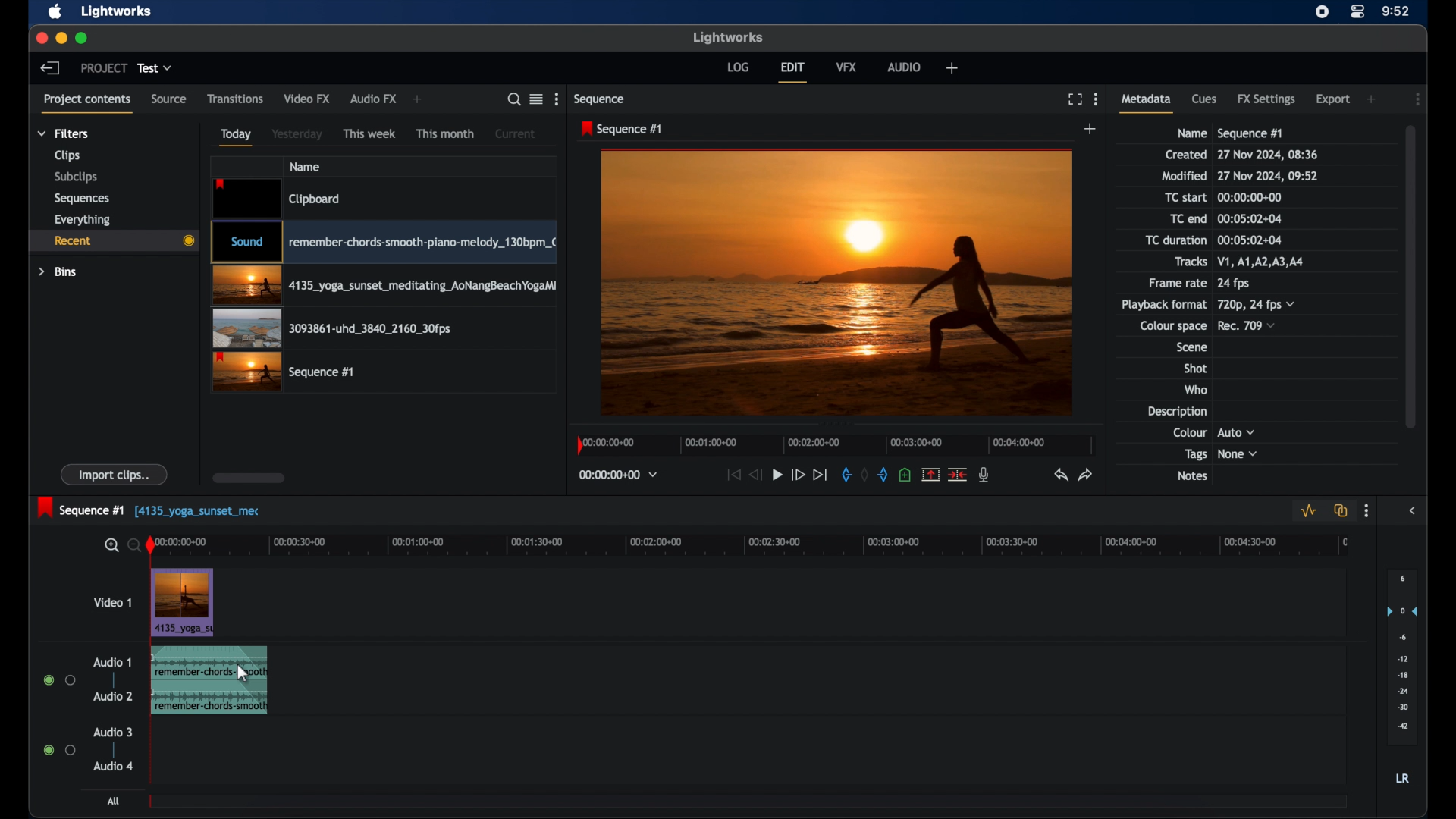 The image size is (1456, 819). What do you see at coordinates (250, 680) in the screenshot?
I see `fade on effect icon` at bounding box center [250, 680].